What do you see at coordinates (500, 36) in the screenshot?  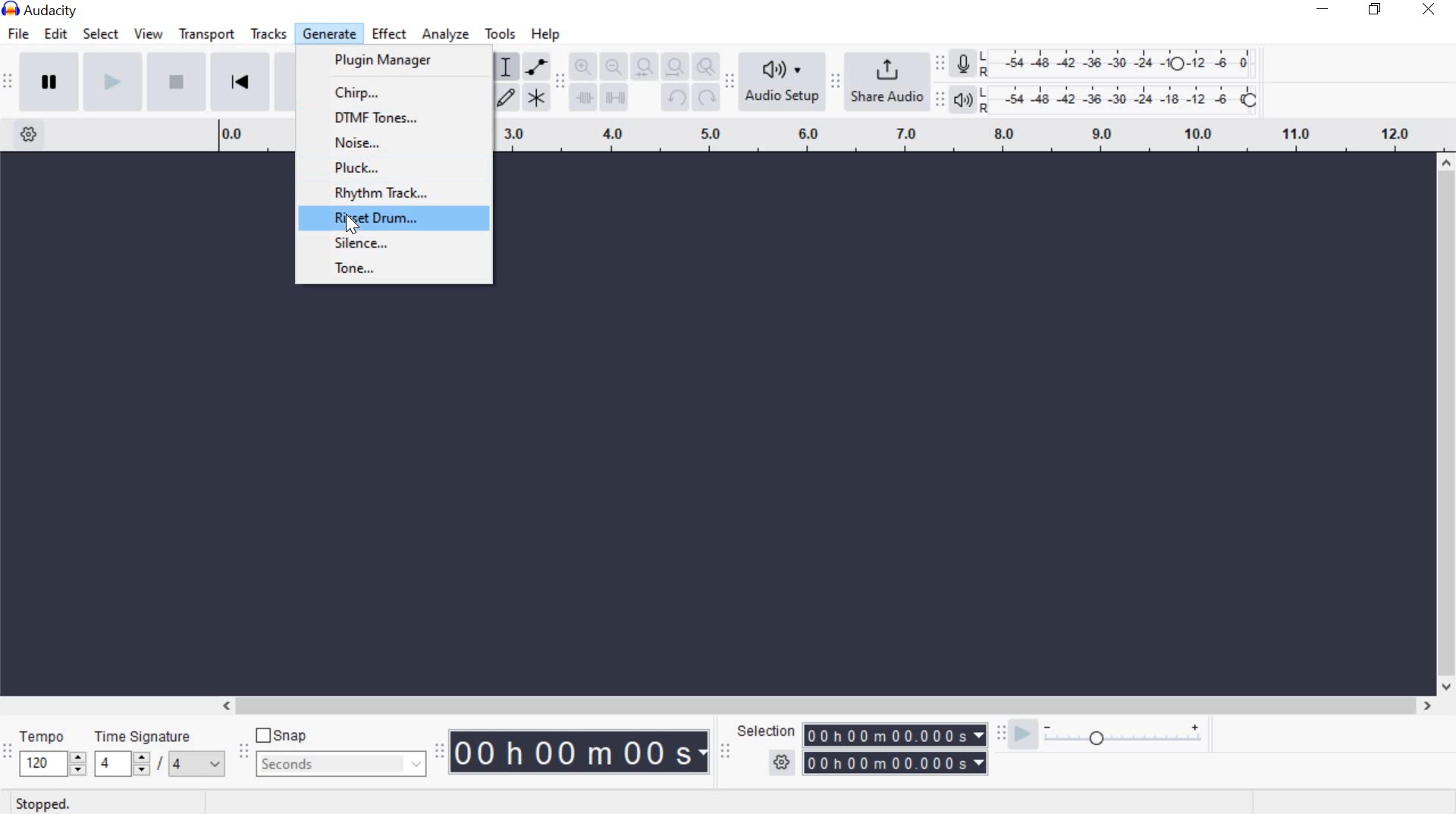 I see `tools` at bounding box center [500, 36].